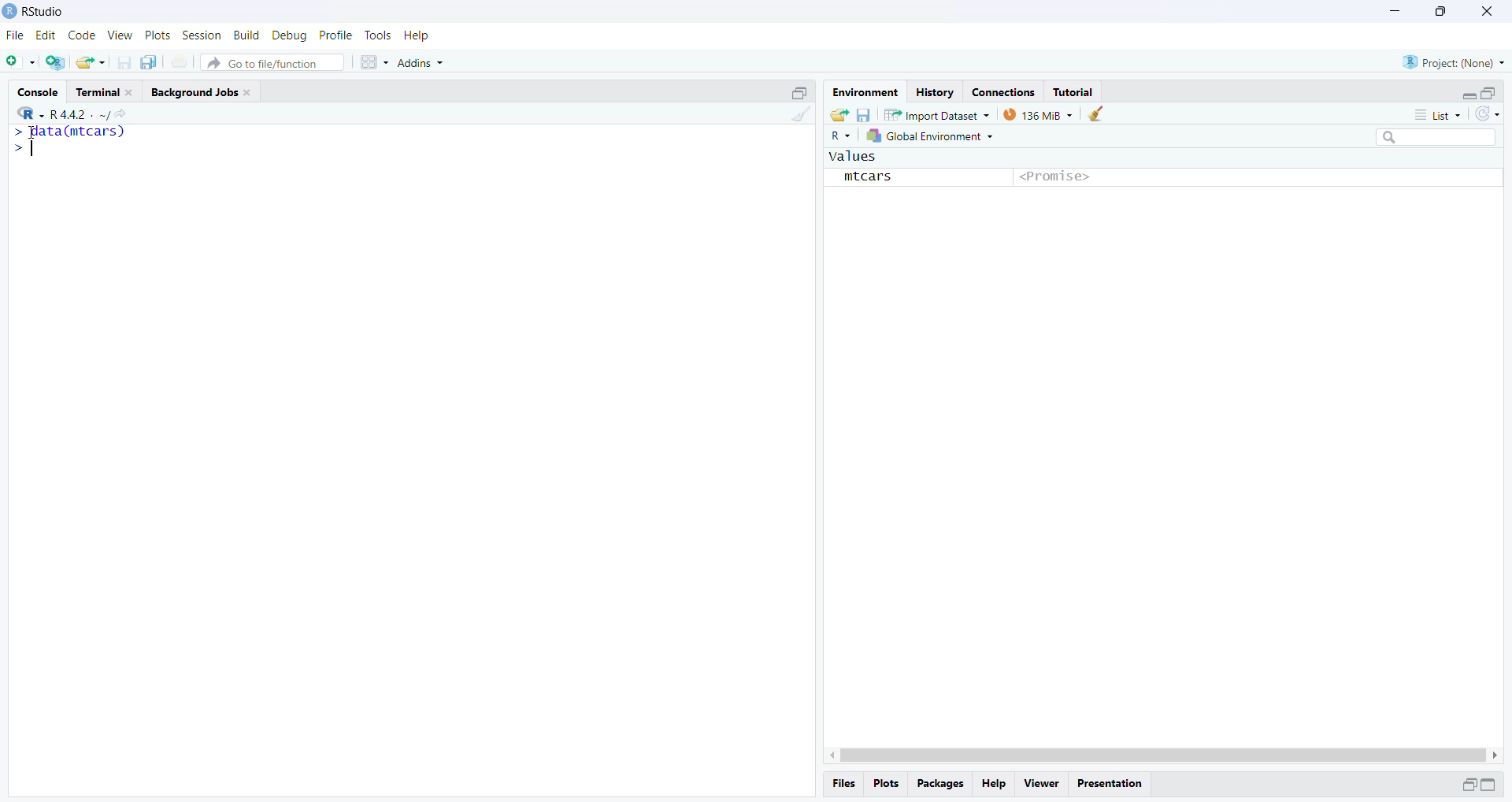 The width and height of the screenshot is (1512, 802). Describe the element at coordinates (373, 61) in the screenshot. I see `Workspace panes` at that location.